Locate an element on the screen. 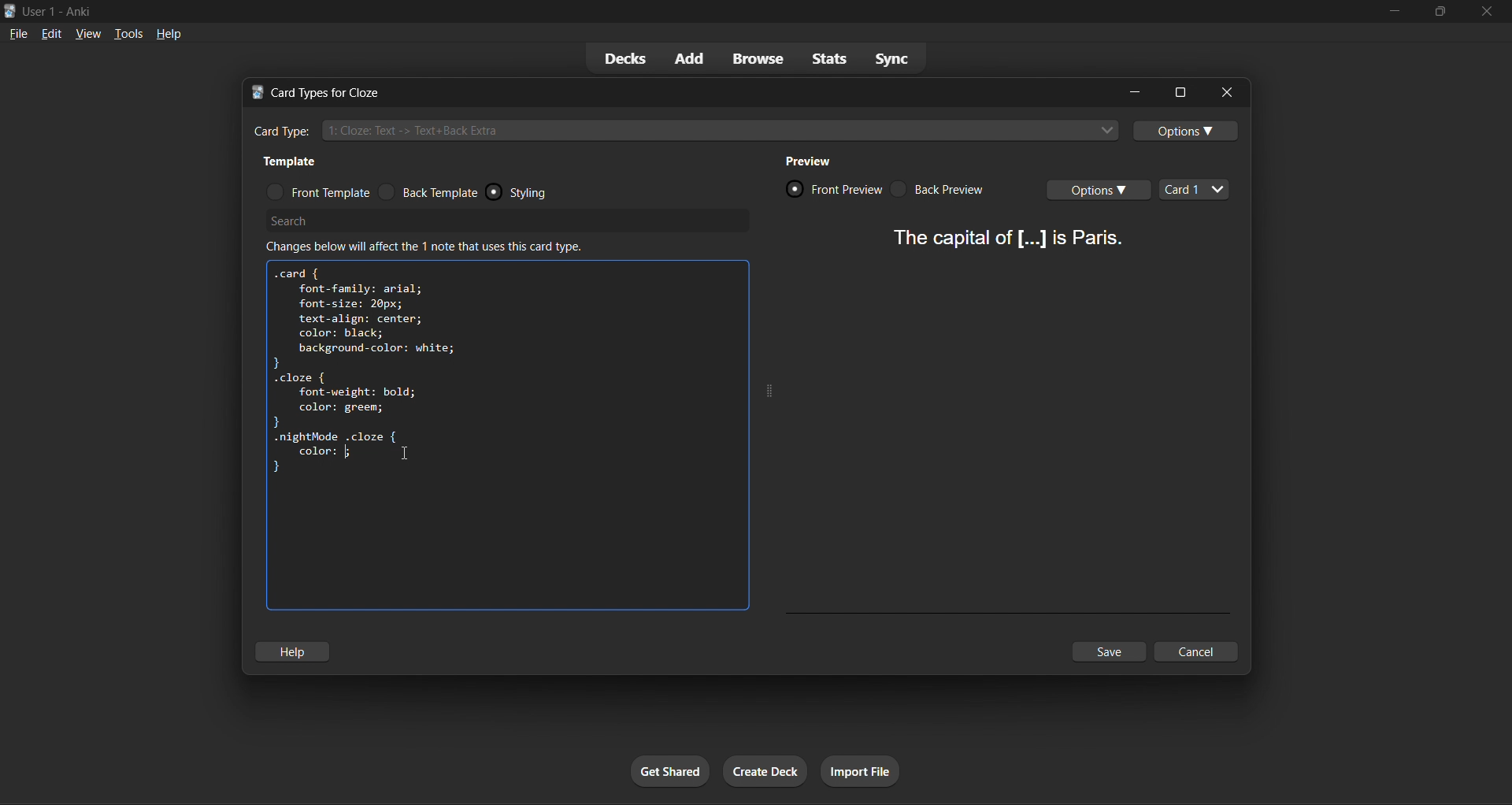  cancel is located at coordinates (1197, 652).